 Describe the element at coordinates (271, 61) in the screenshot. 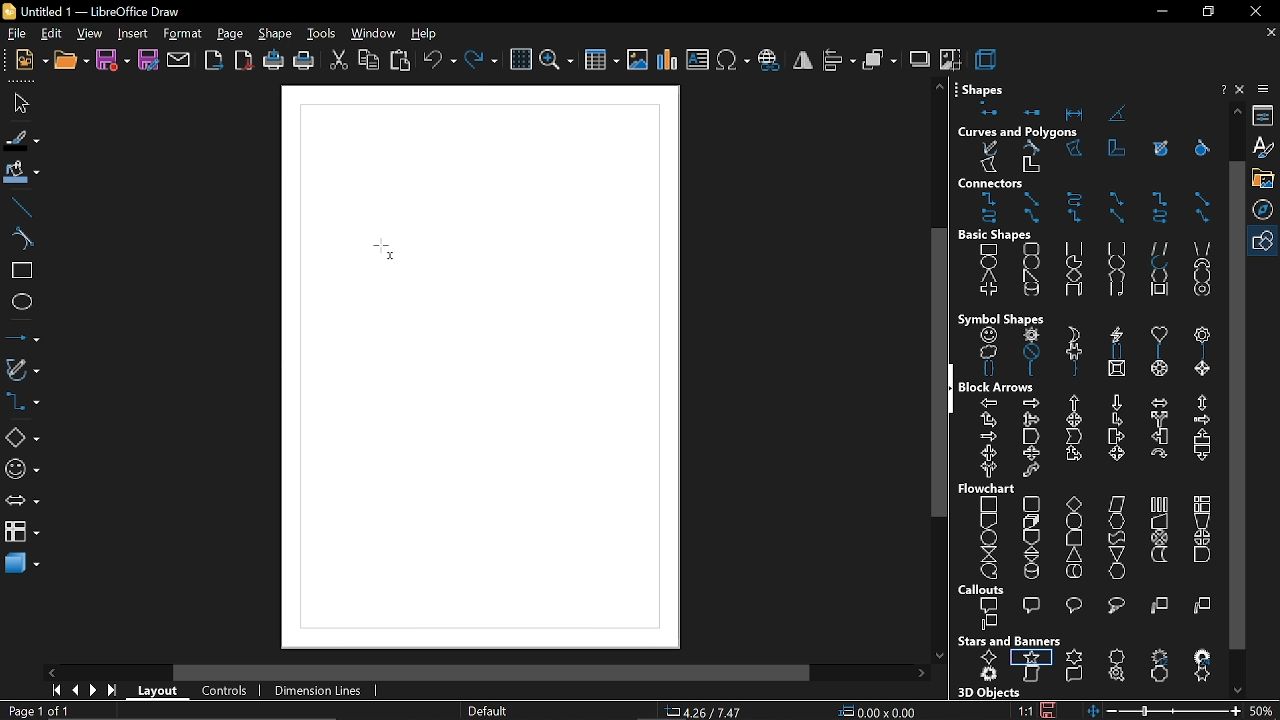

I see `print directly` at that location.